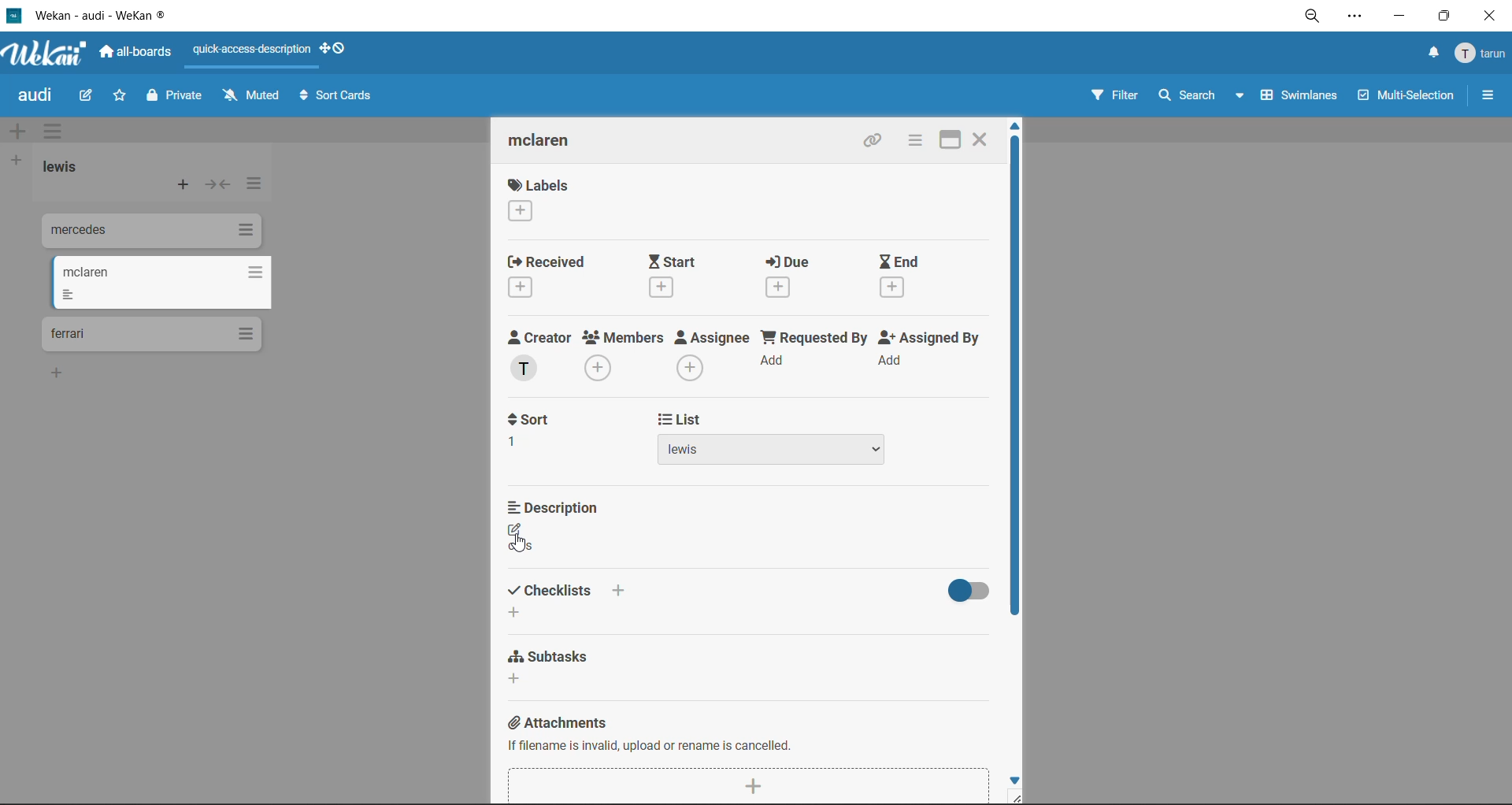 This screenshot has width=1512, height=805. I want to click on all boards, so click(136, 52).